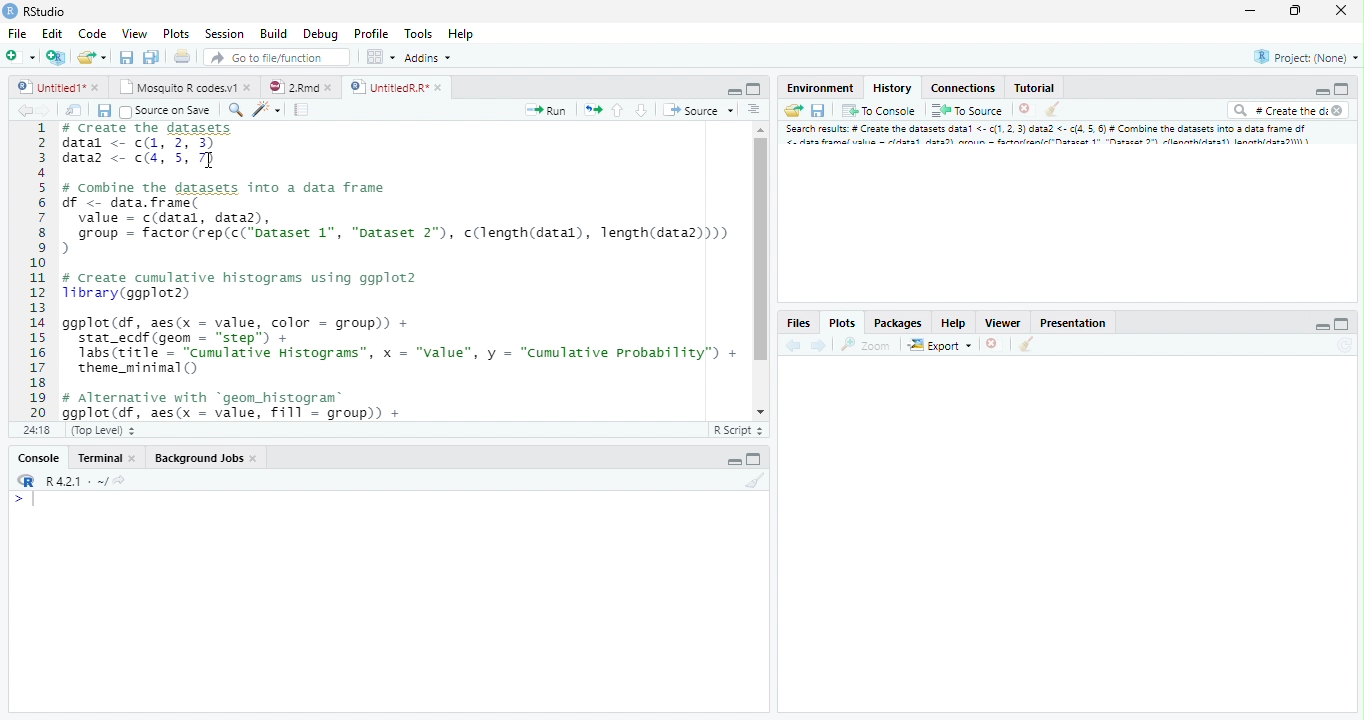 Image resolution: width=1364 pixels, height=720 pixels. Describe the element at coordinates (65, 481) in the screenshot. I see `R.4.2.1` at that location.